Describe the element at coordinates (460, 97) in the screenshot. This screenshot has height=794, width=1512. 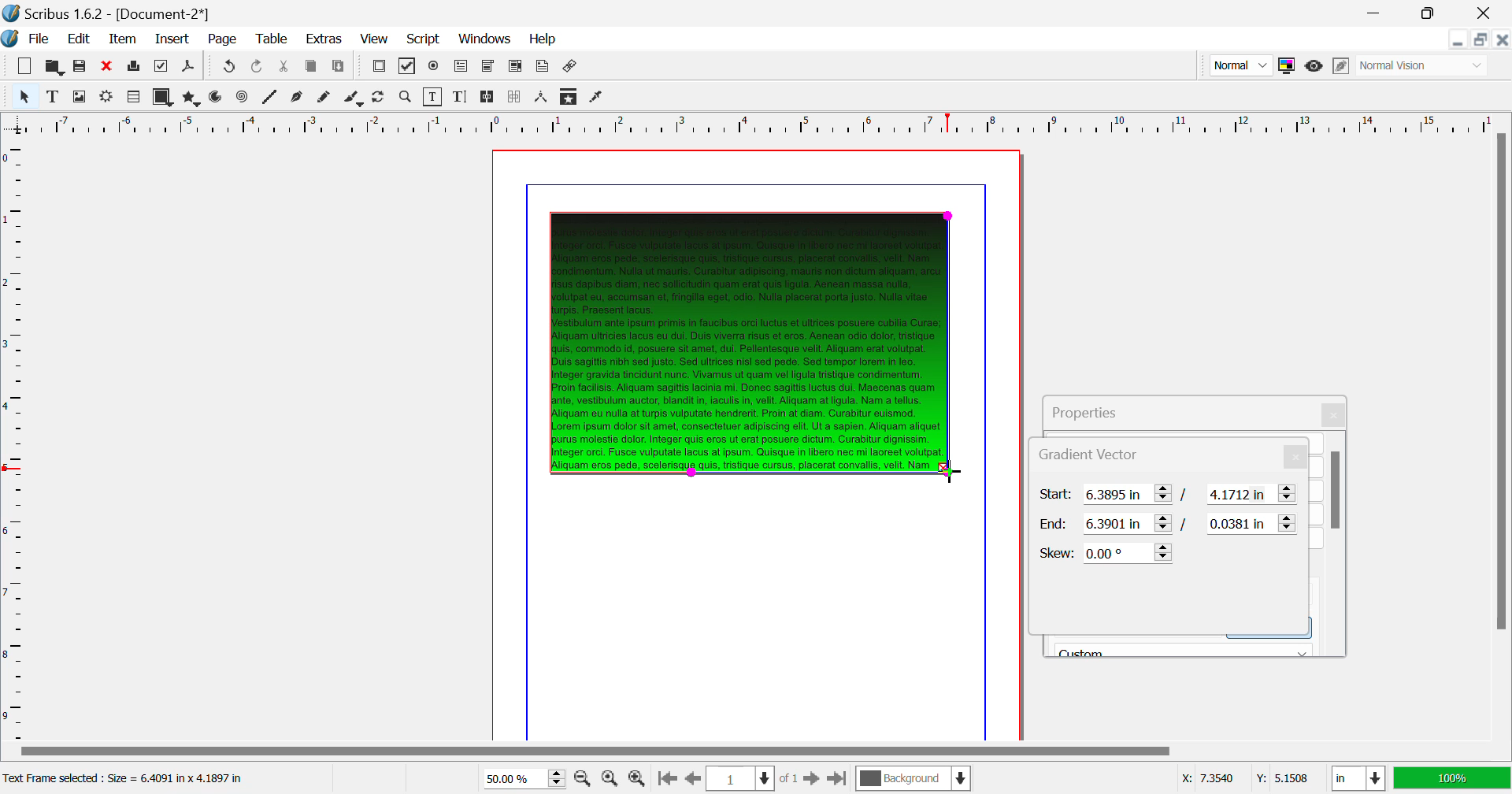
I see `Edit Text with Story Editor` at that location.